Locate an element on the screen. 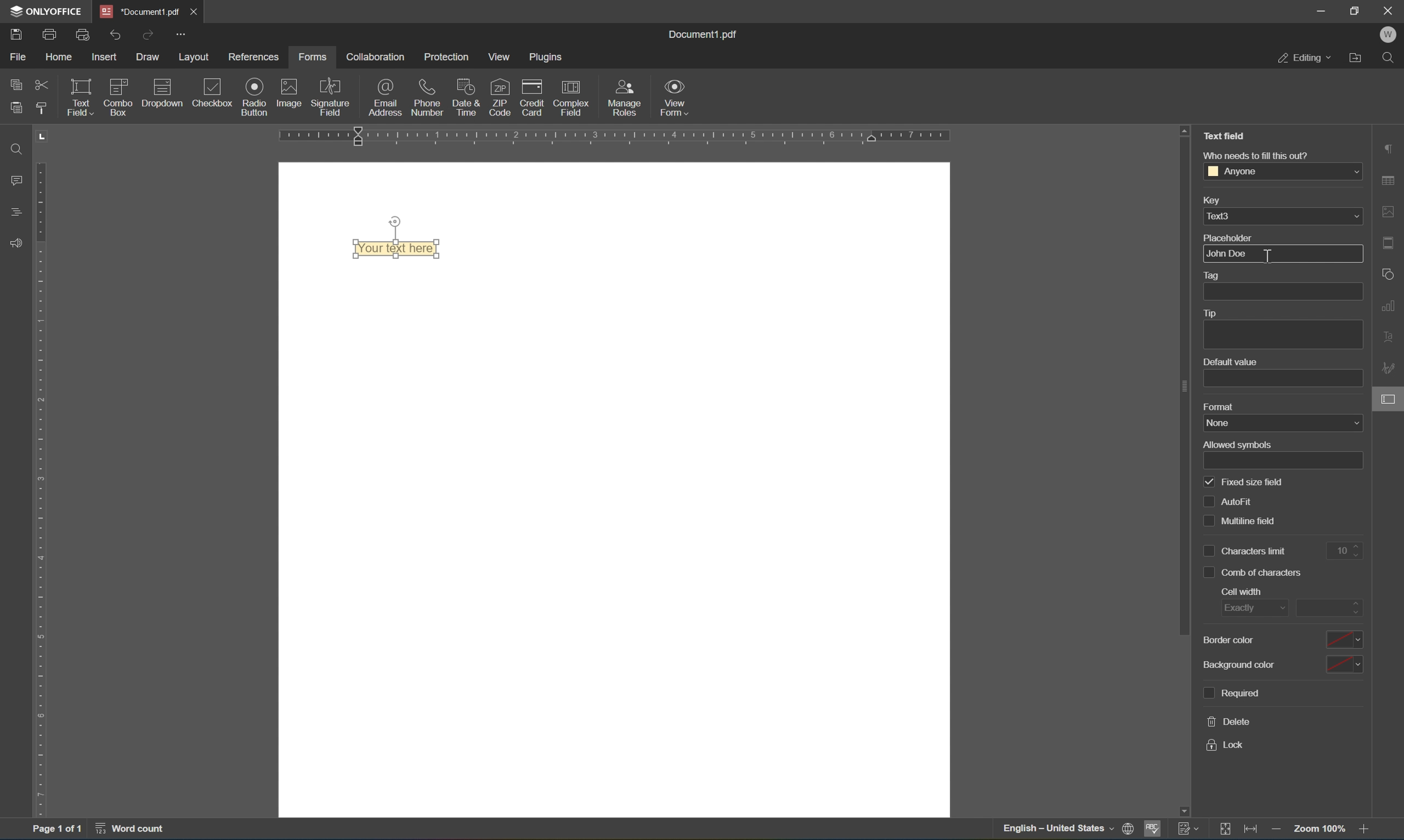  format is located at coordinates (1223, 407).